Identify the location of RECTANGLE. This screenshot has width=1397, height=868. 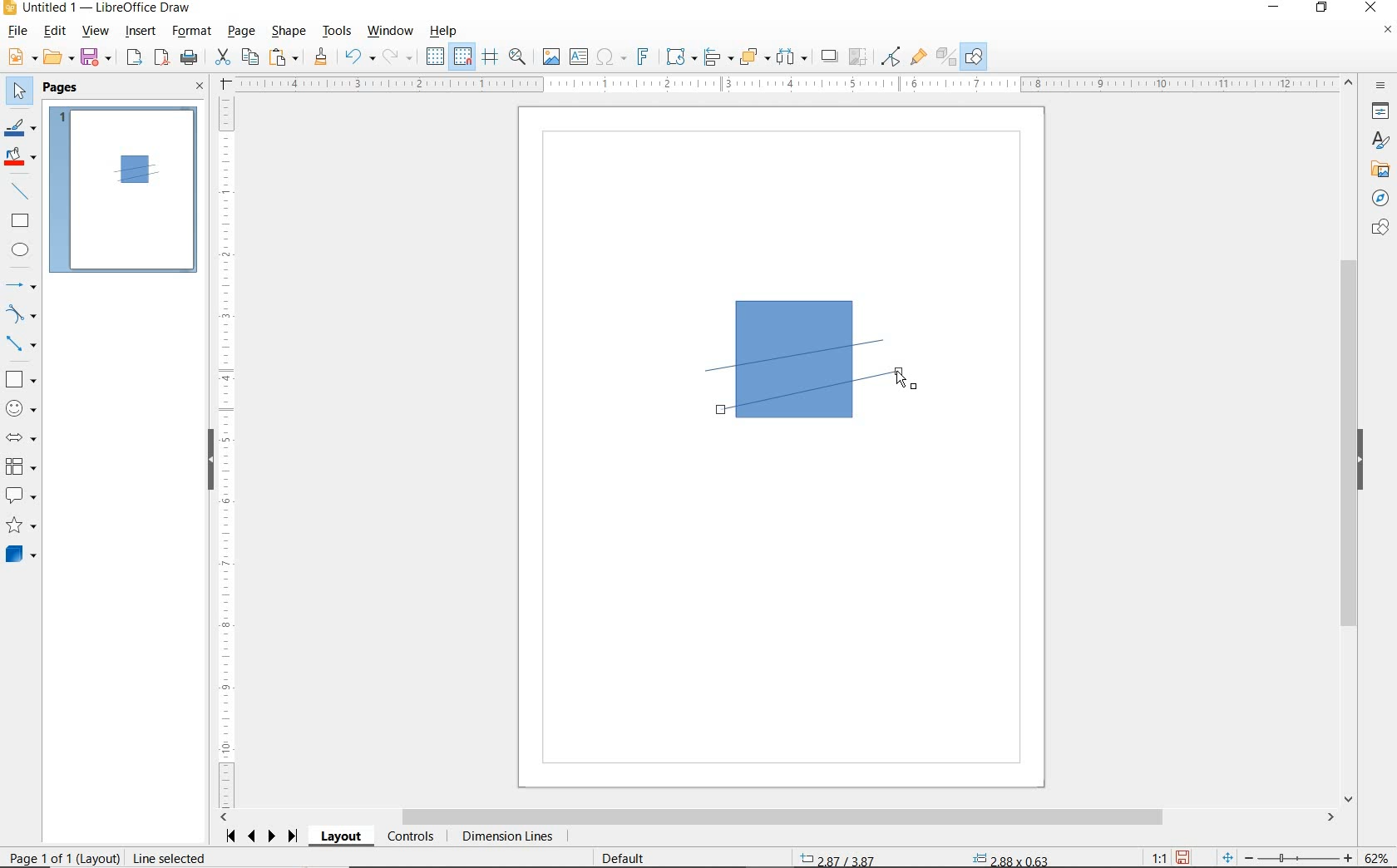
(21, 220).